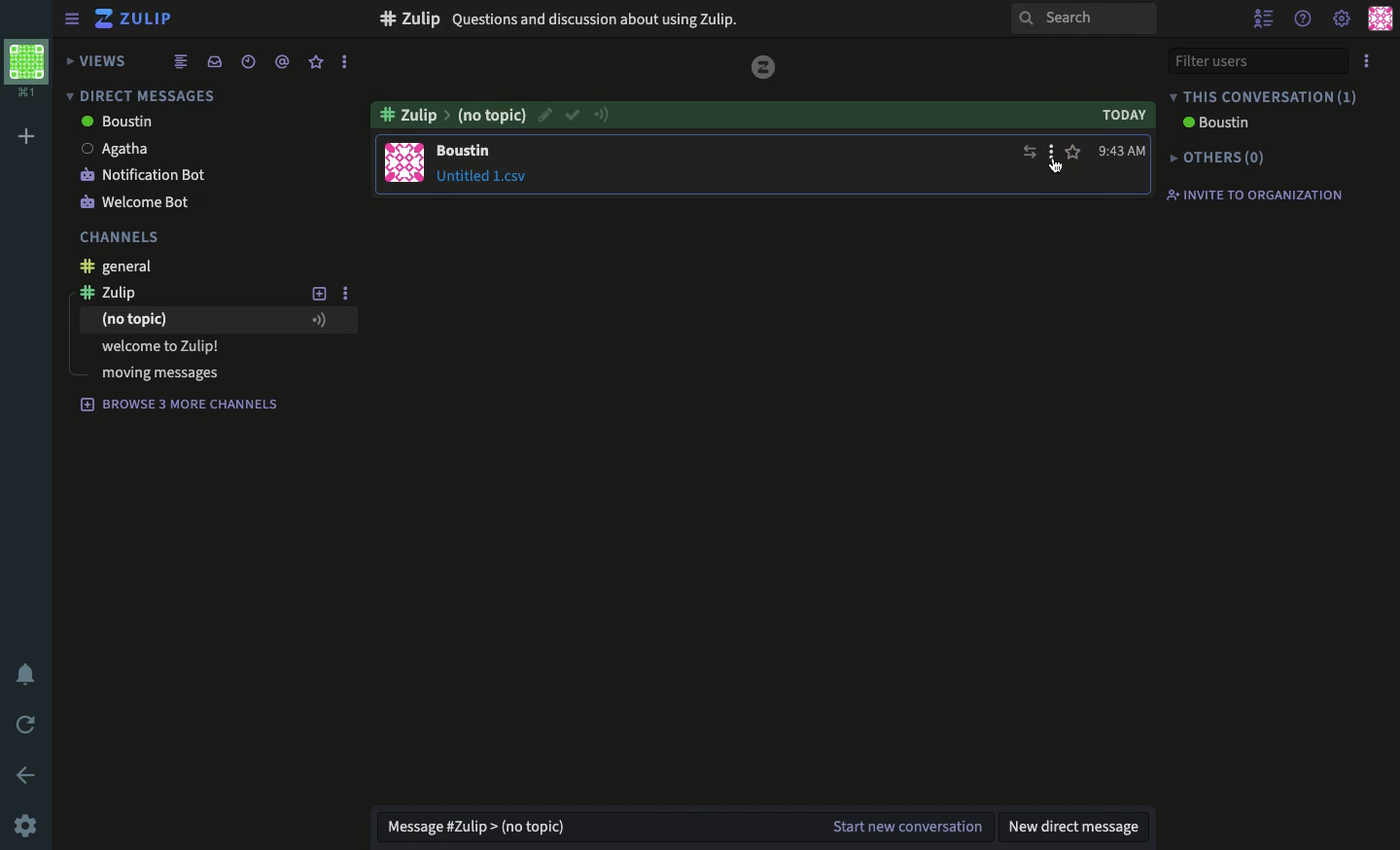 The image size is (1400, 850). Describe the element at coordinates (1122, 153) in the screenshot. I see `time` at that location.